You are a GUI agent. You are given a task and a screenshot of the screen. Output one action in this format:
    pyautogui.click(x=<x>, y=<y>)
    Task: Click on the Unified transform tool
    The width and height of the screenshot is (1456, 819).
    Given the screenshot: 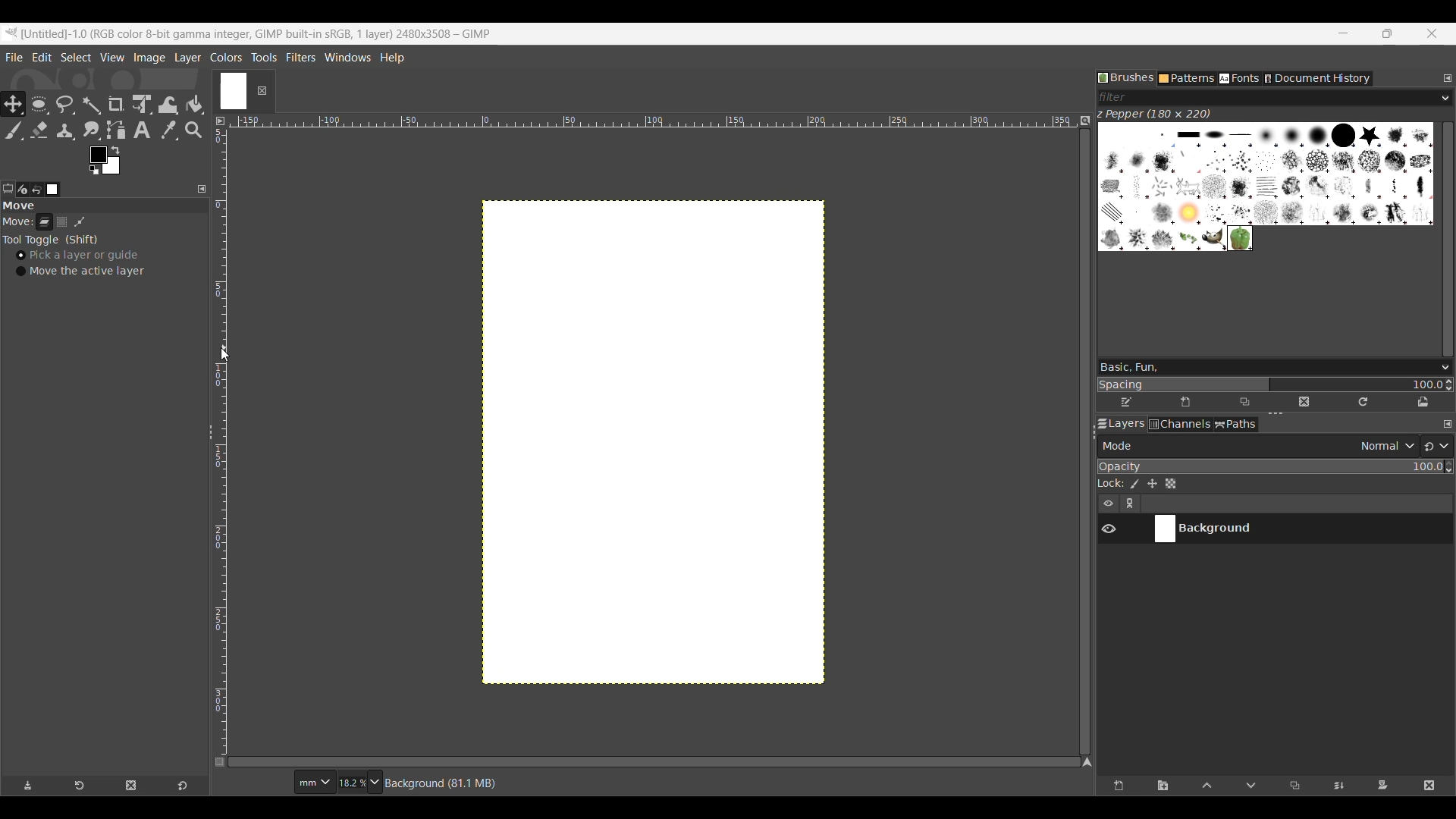 What is the action you would take?
    pyautogui.click(x=141, y=104)
    